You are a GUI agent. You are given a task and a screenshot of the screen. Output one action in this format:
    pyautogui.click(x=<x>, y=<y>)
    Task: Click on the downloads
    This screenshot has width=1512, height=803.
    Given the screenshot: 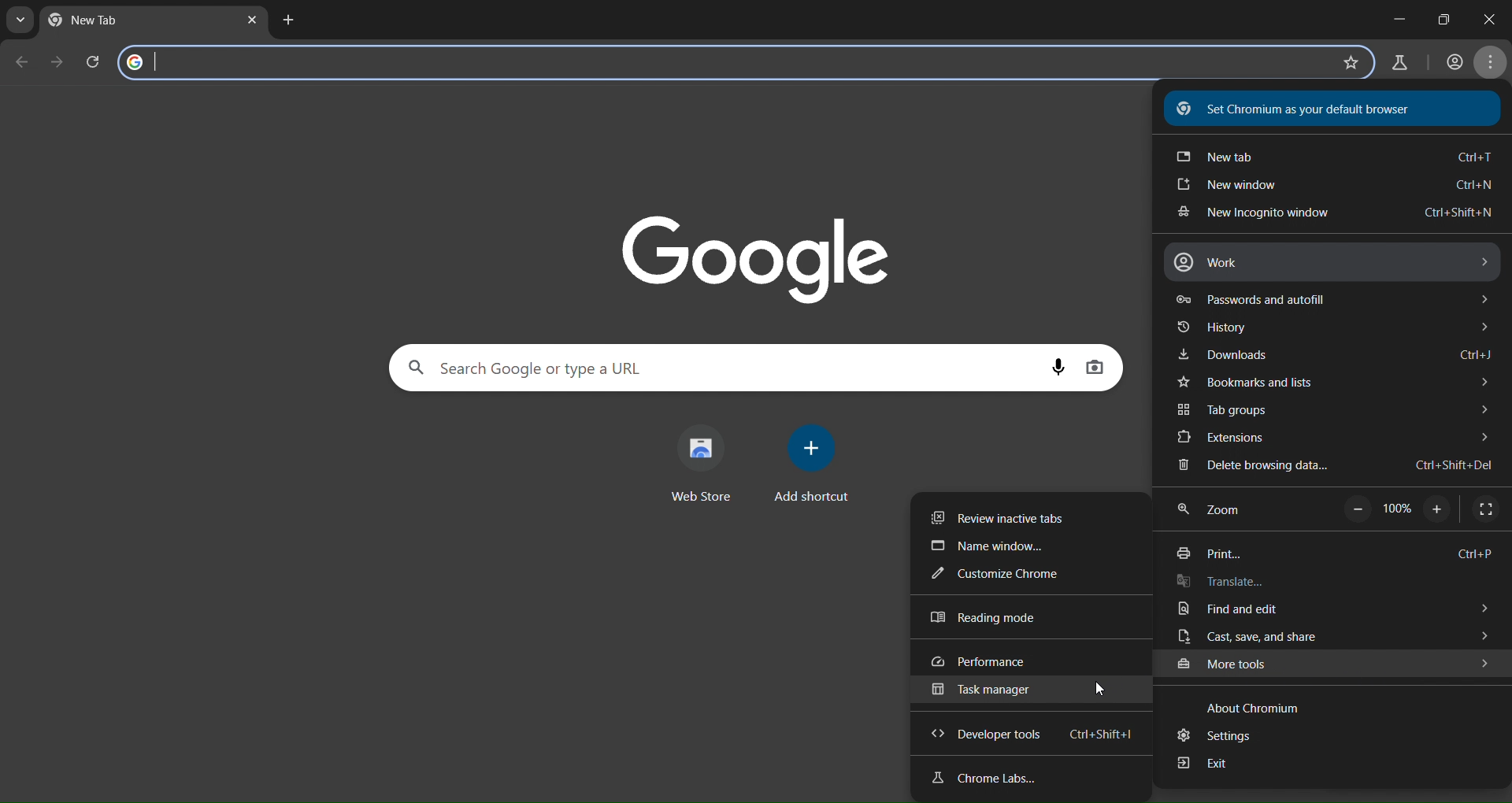 What is the action you would take?
    pyautogui.click(x=1335, y=357)
    